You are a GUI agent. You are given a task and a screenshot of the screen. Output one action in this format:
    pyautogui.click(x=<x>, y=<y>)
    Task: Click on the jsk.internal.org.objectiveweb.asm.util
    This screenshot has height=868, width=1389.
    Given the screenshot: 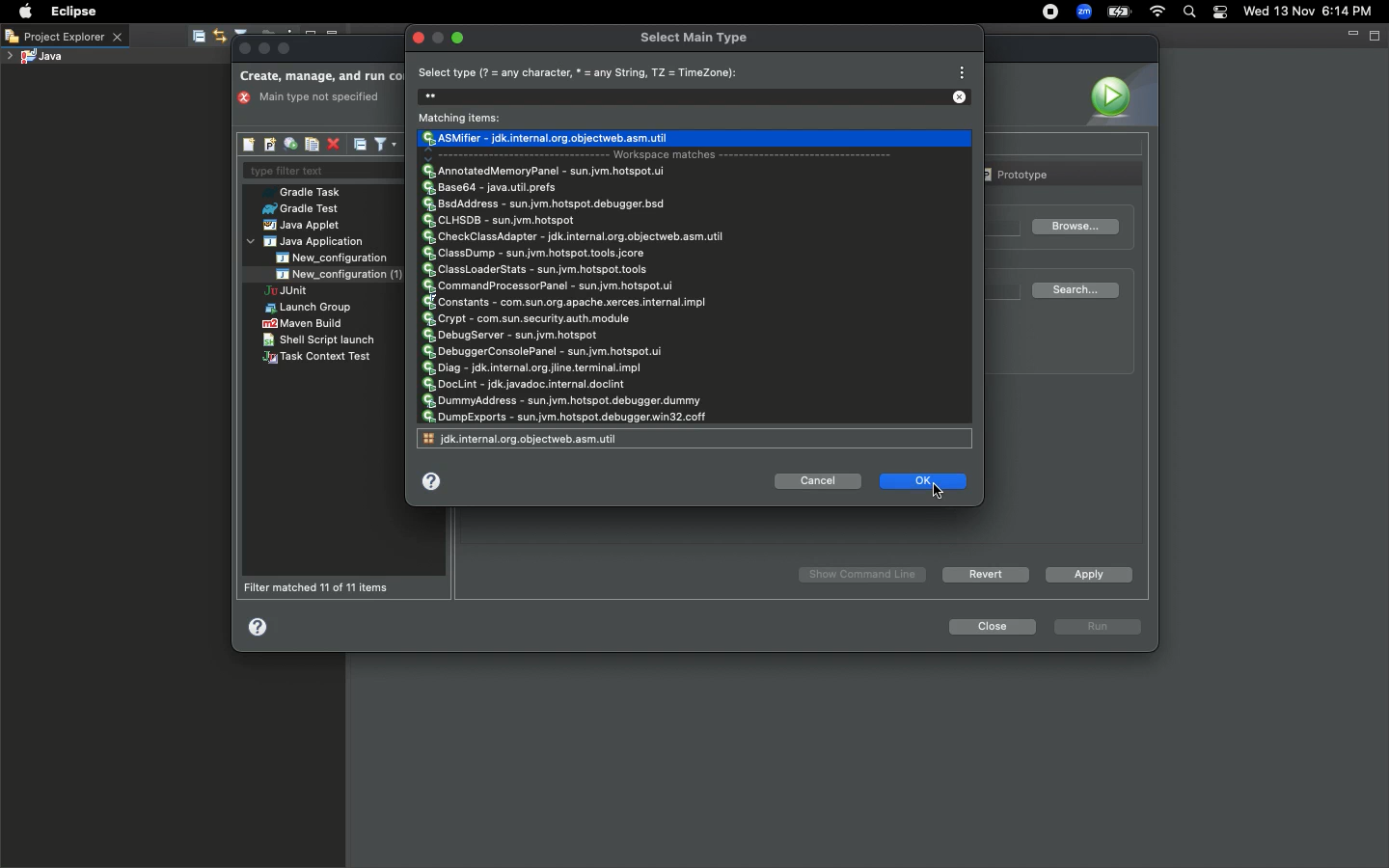 What is the action you would take?
    pyautogui.click(x=525, y=438)
    